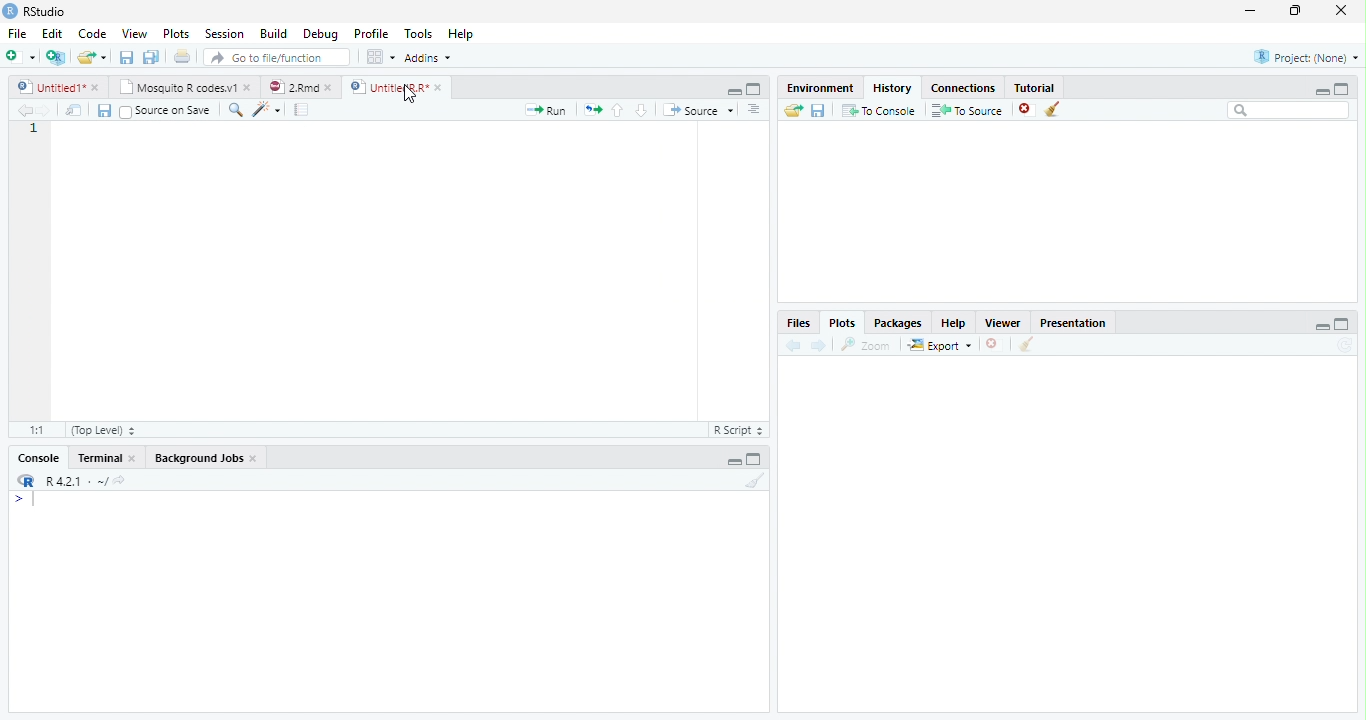 This screenshot has width=1366, height=720. Describe the element at coordinates (898, 322) in the screenshot. I see `Packages` at that location.